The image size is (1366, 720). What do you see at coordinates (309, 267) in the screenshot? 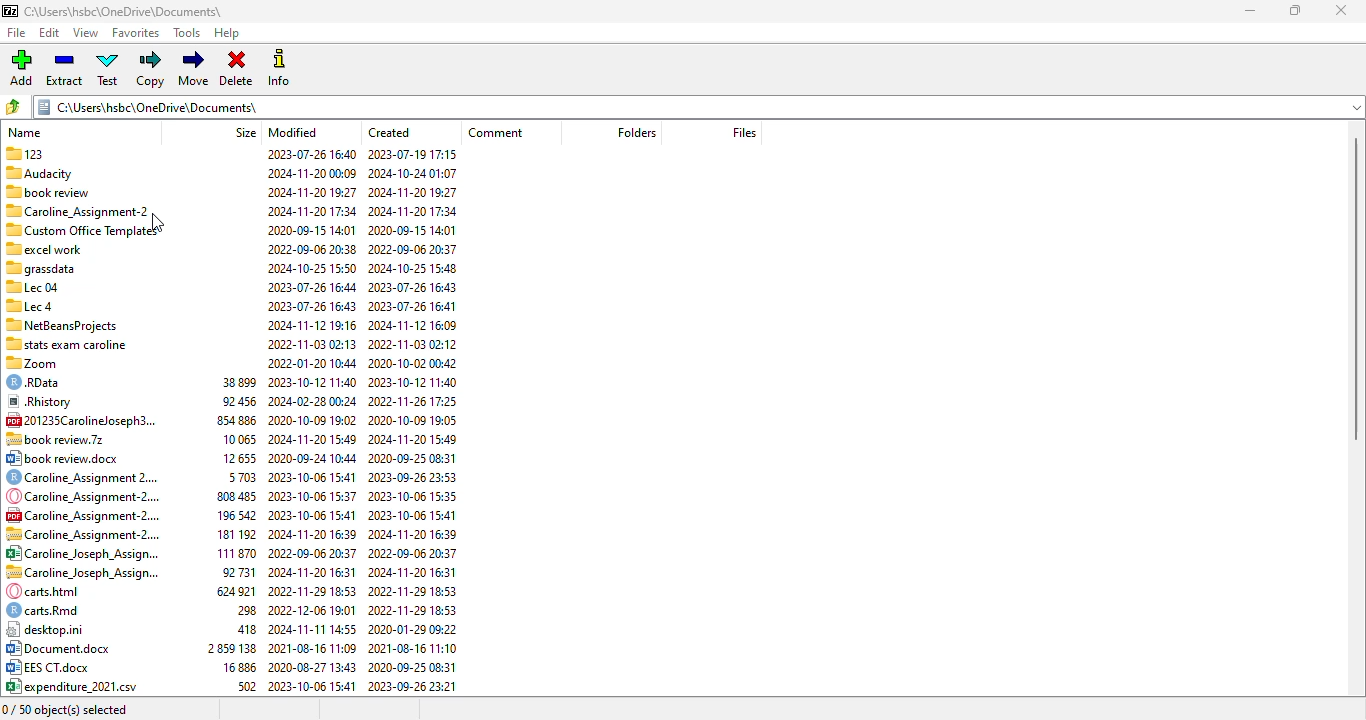
I see `2024-10-25 15:50` at bounding box center [309, 267].